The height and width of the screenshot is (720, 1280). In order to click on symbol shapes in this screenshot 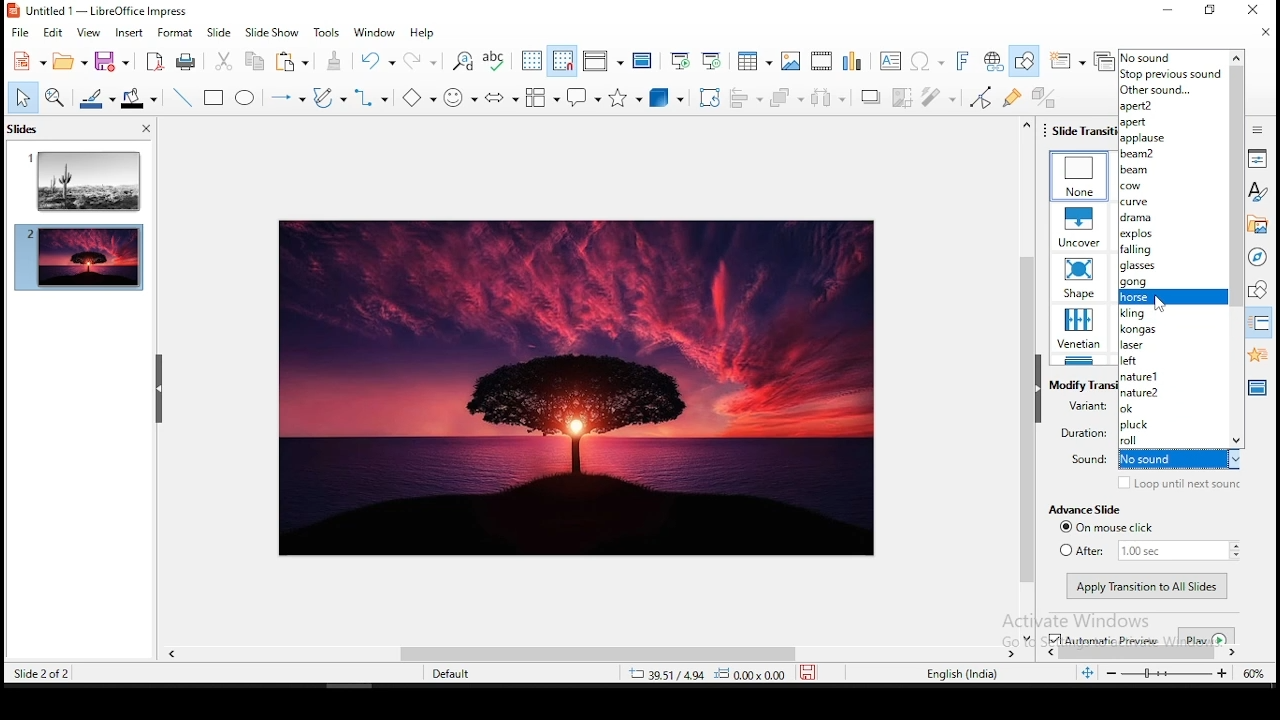, I will do `click(459, 96)`.